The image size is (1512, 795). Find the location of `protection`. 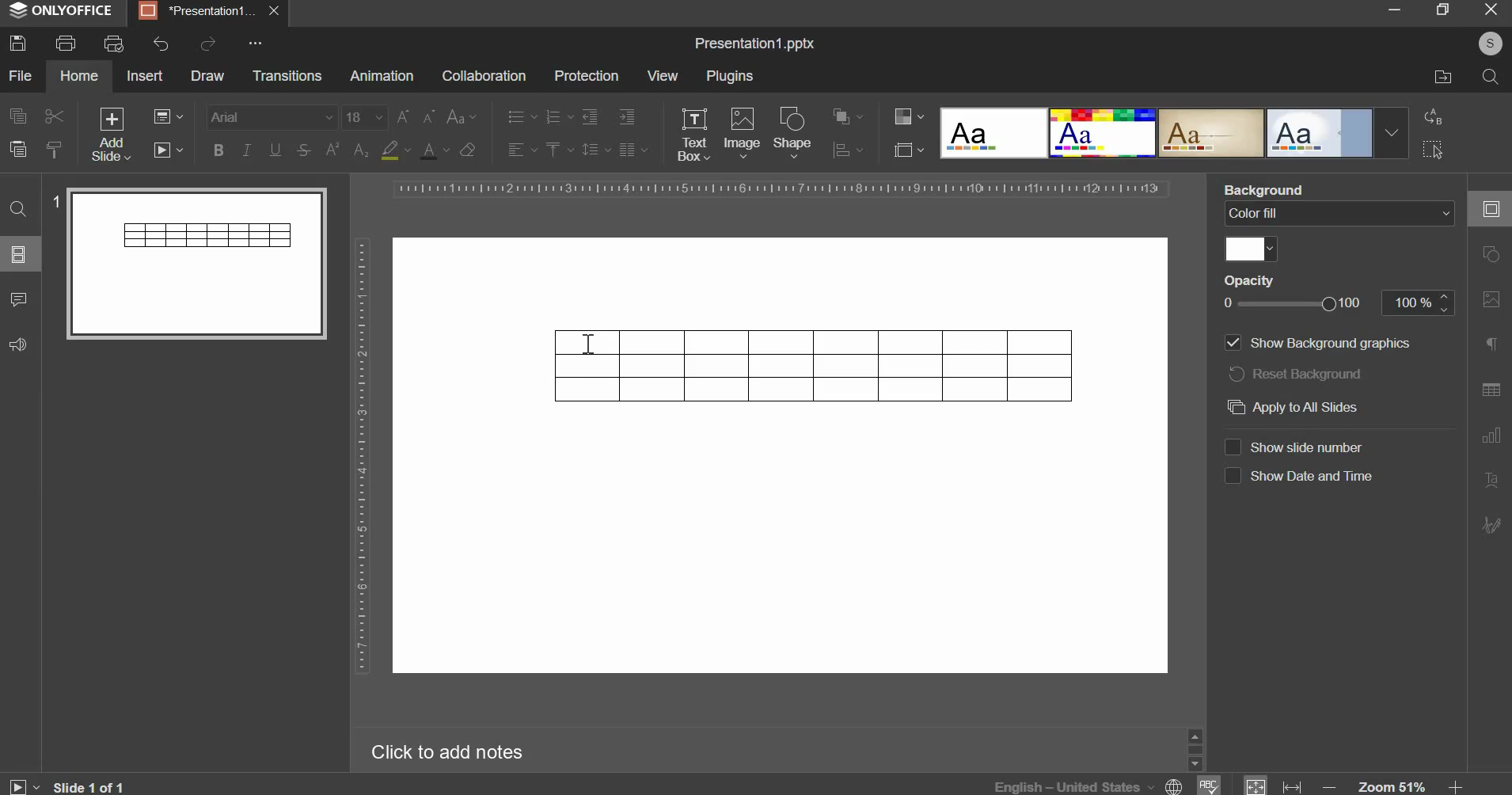

protection is located at coordinates (586, 76).